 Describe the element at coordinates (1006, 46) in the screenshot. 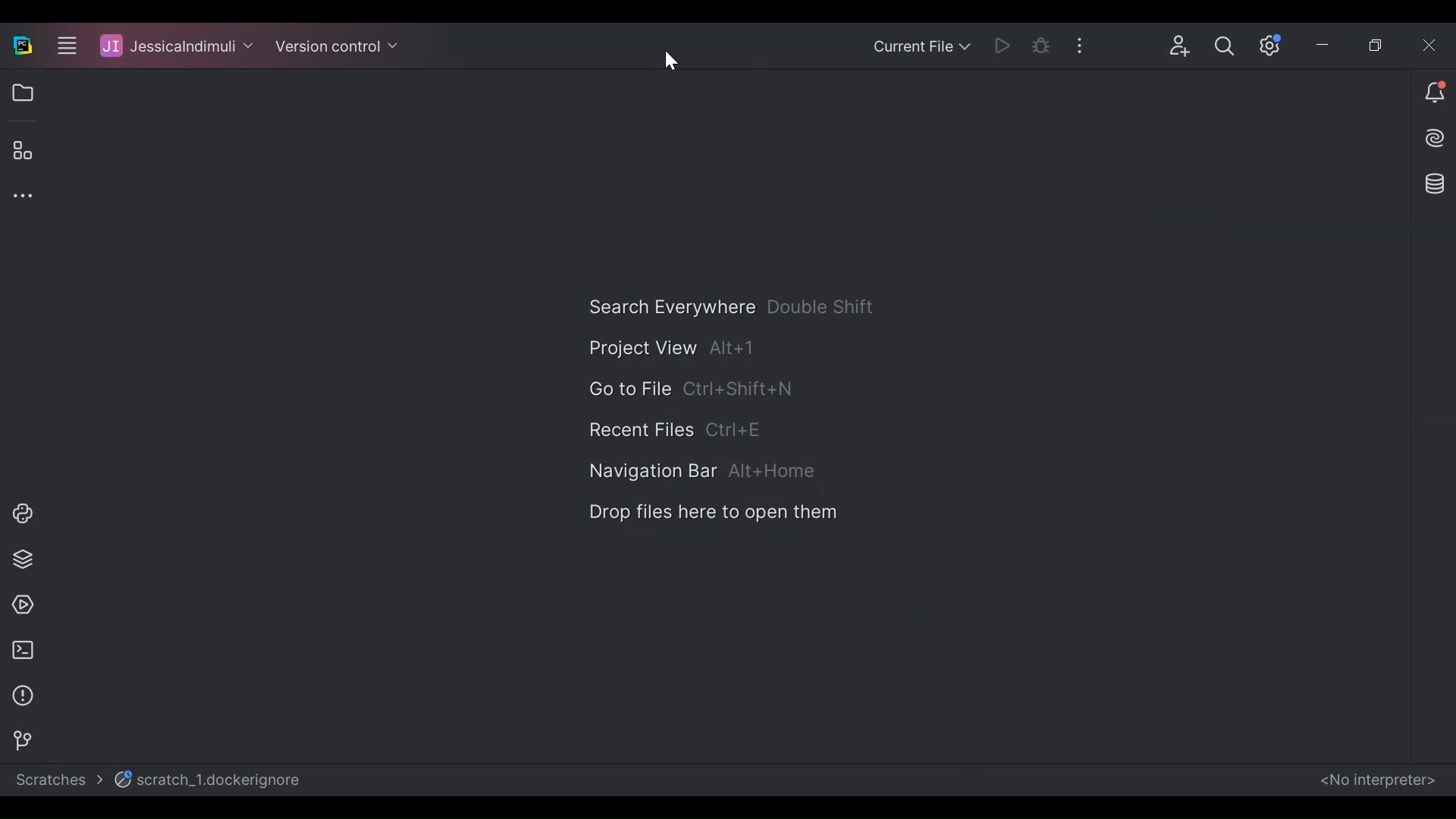

I see `run` at that location.